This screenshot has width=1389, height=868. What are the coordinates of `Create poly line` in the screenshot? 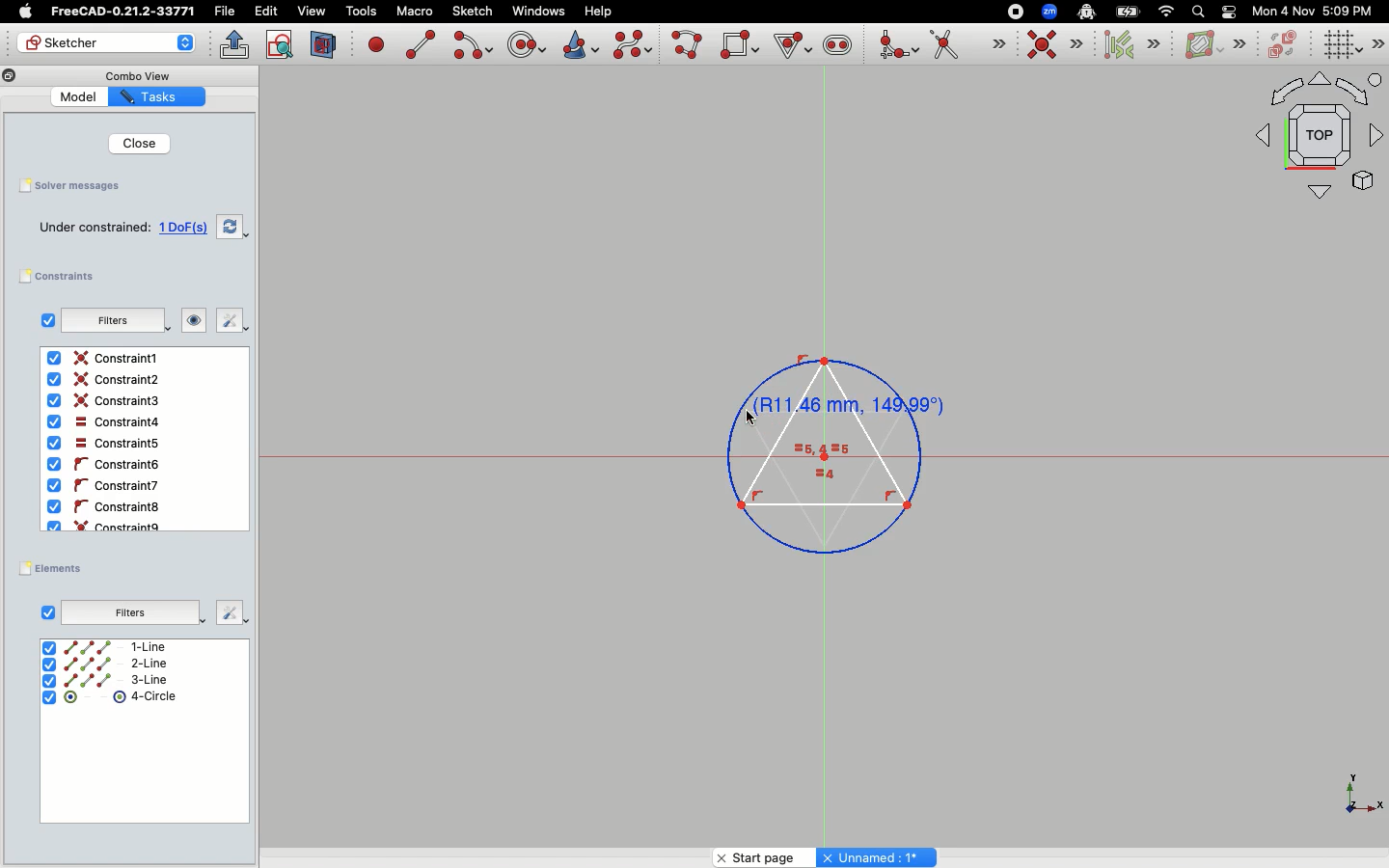 It's located at (688, 46).